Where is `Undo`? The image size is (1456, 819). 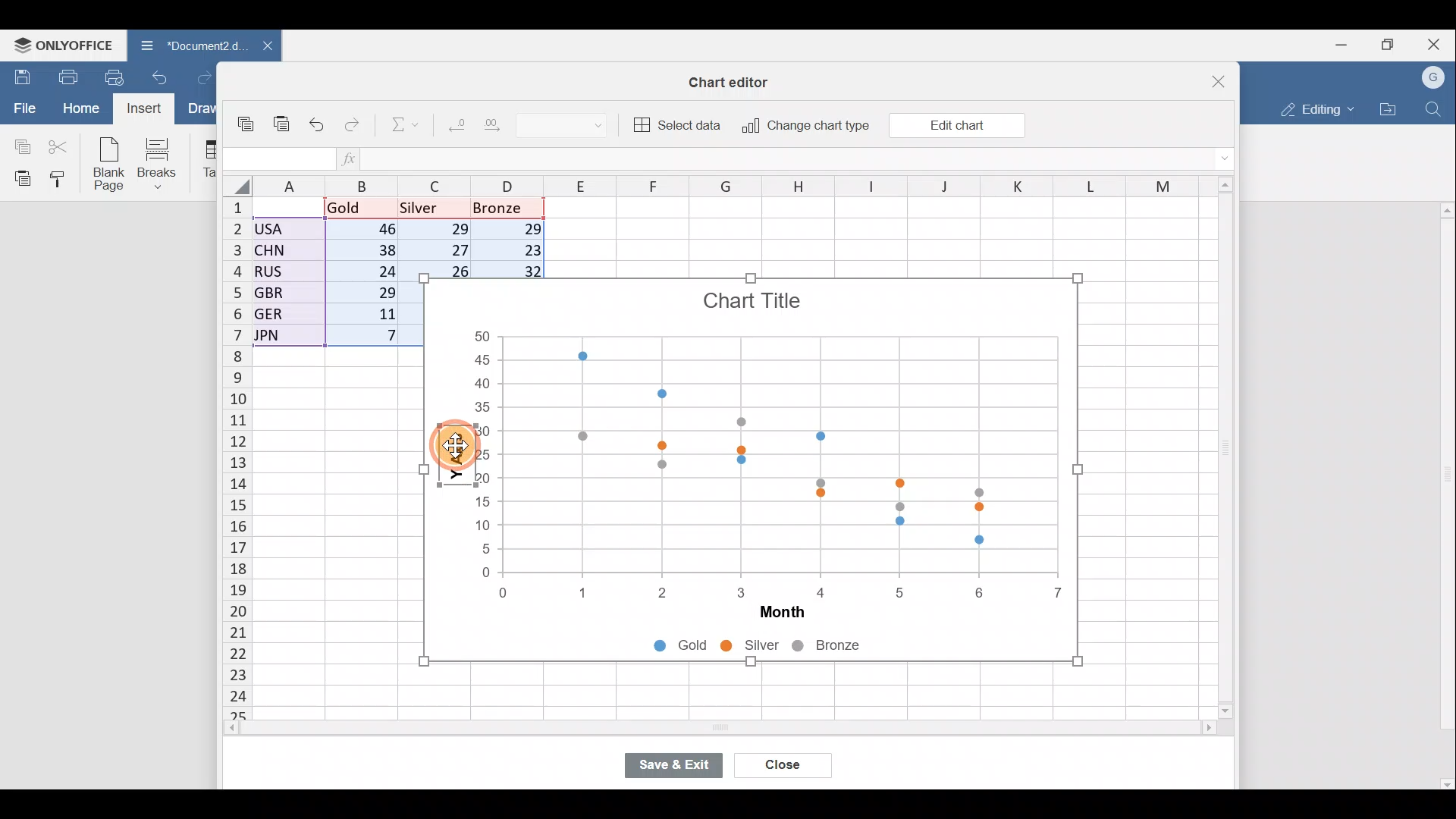 Undo is located at coordinates (163, 76).